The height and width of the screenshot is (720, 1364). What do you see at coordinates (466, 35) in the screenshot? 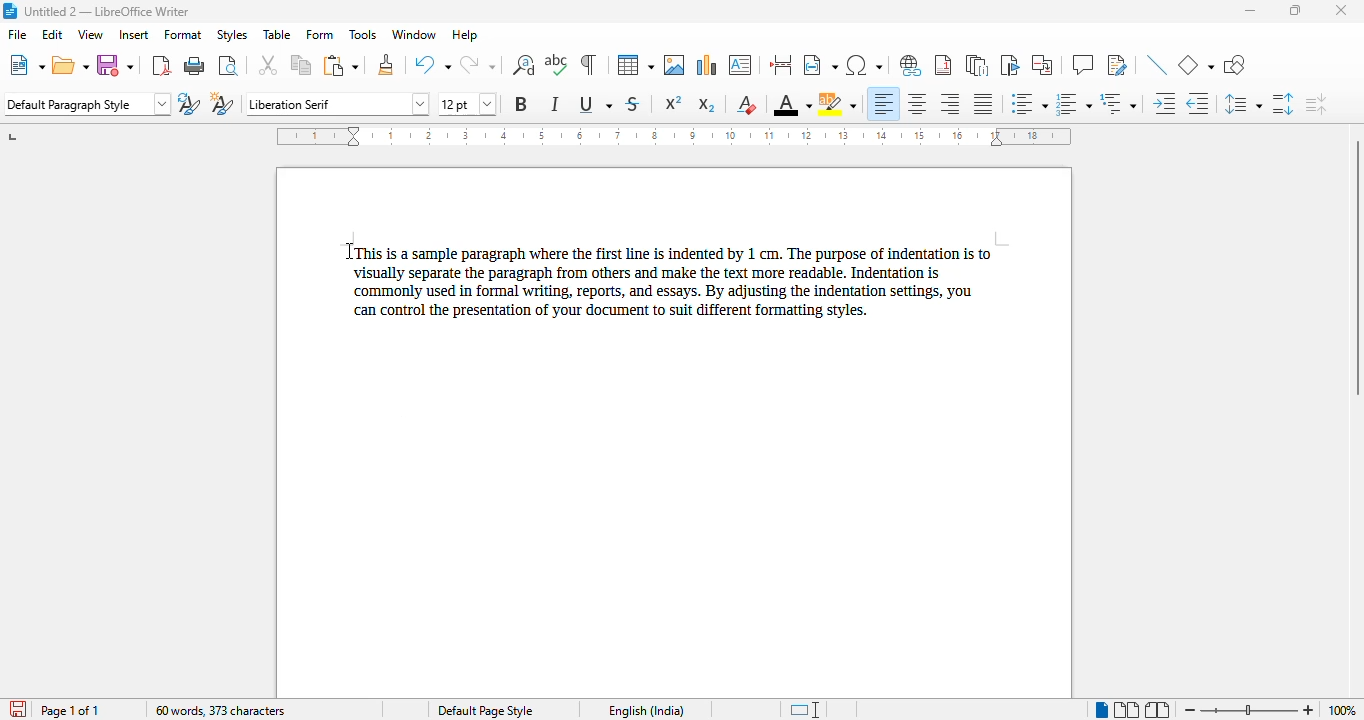
I see `help` at bounding box center [466, 35].